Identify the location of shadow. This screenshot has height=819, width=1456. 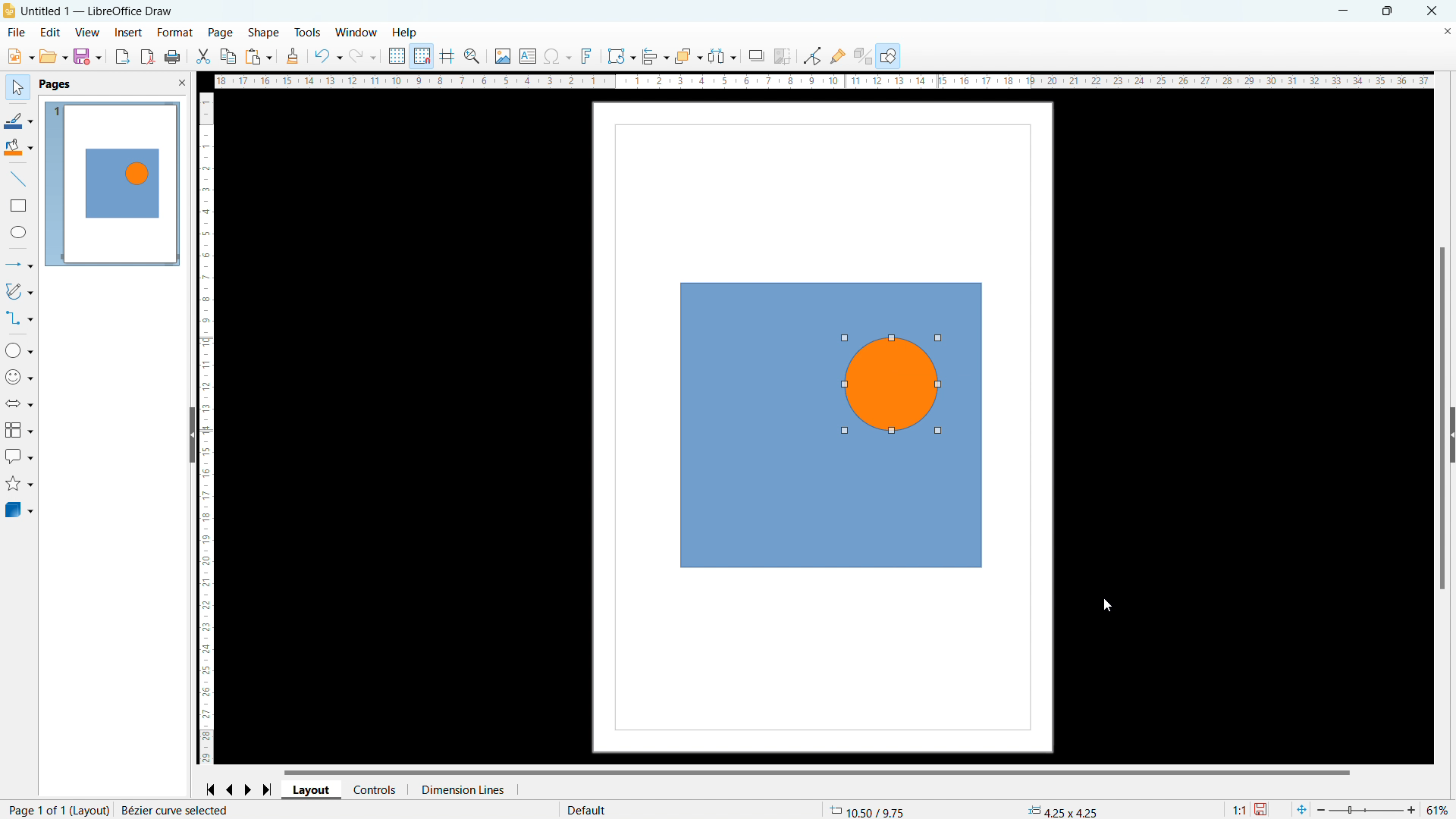
(756, 55).